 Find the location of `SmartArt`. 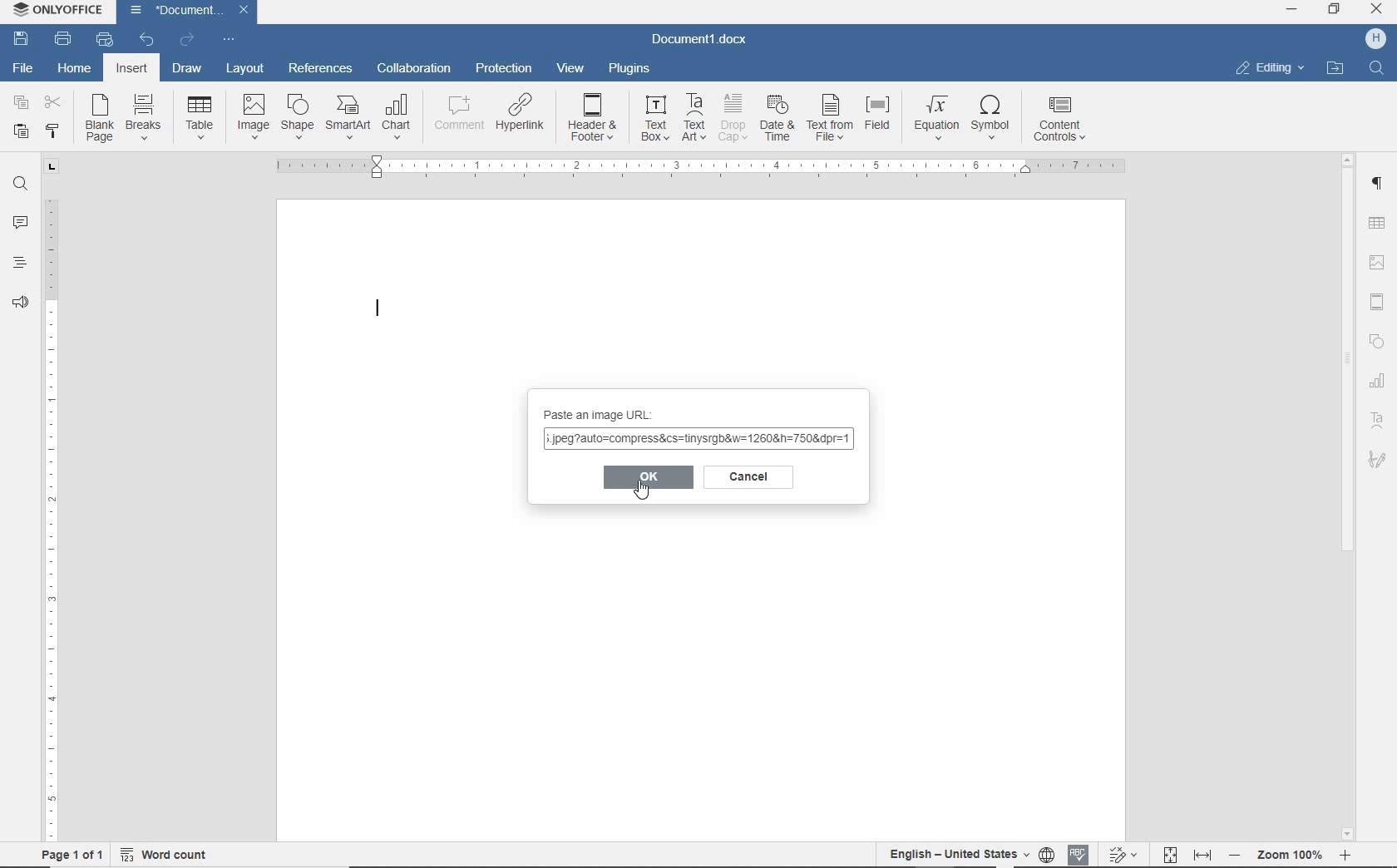

SmartArt is located at coordinates (347, 118).